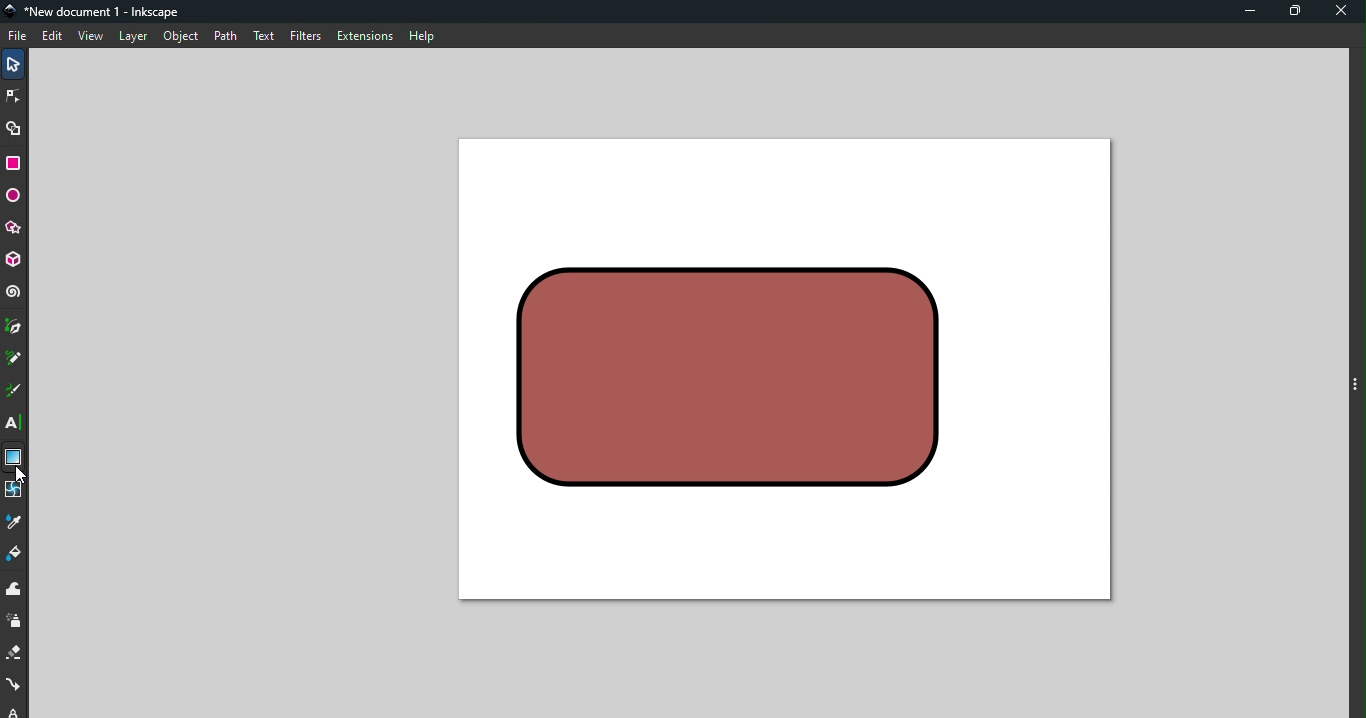  Describe the element at coordinates (363, 36) in the screenshot. I see `Extensions` at that location.